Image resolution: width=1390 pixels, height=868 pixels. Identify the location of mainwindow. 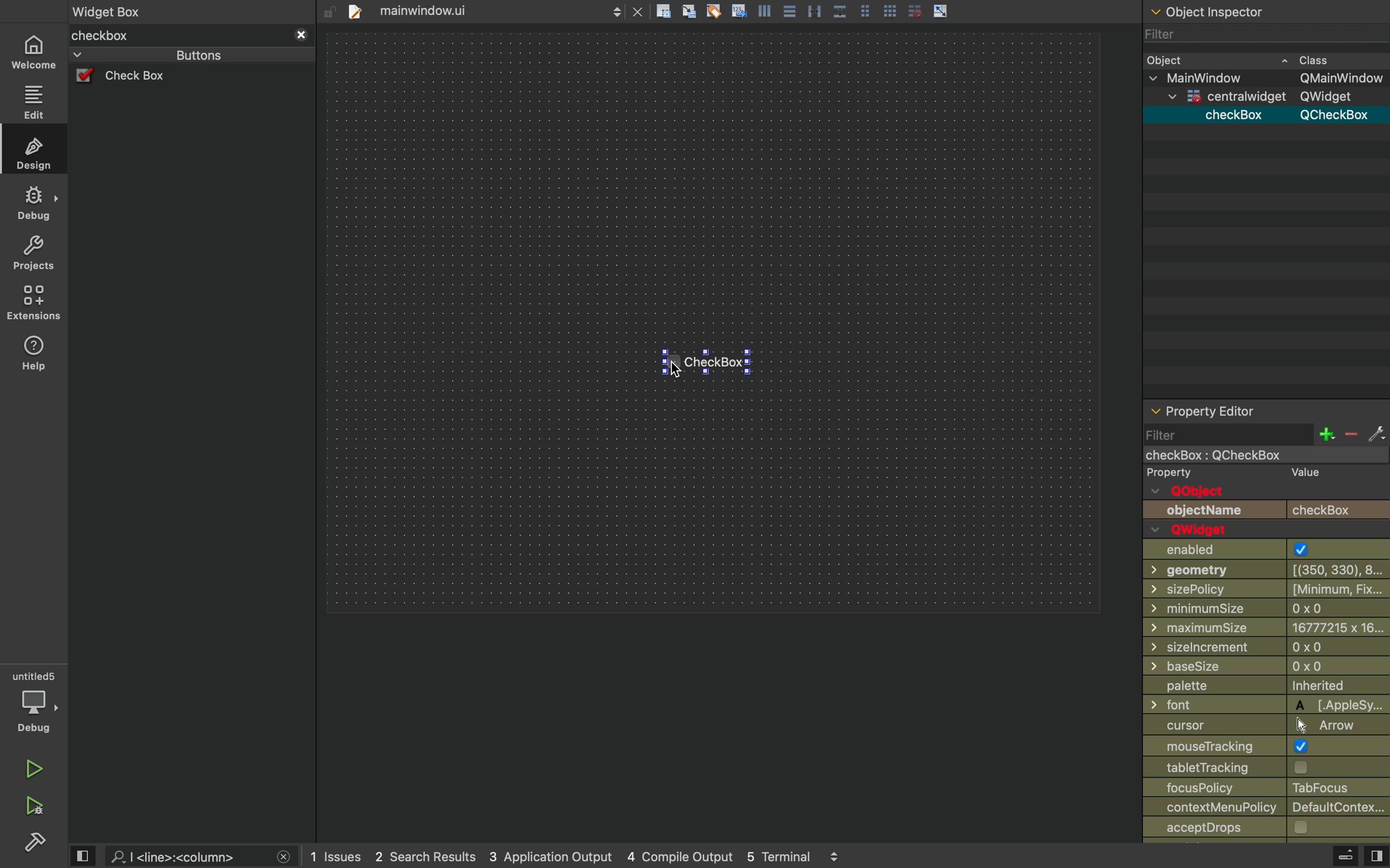
(1250, 456).